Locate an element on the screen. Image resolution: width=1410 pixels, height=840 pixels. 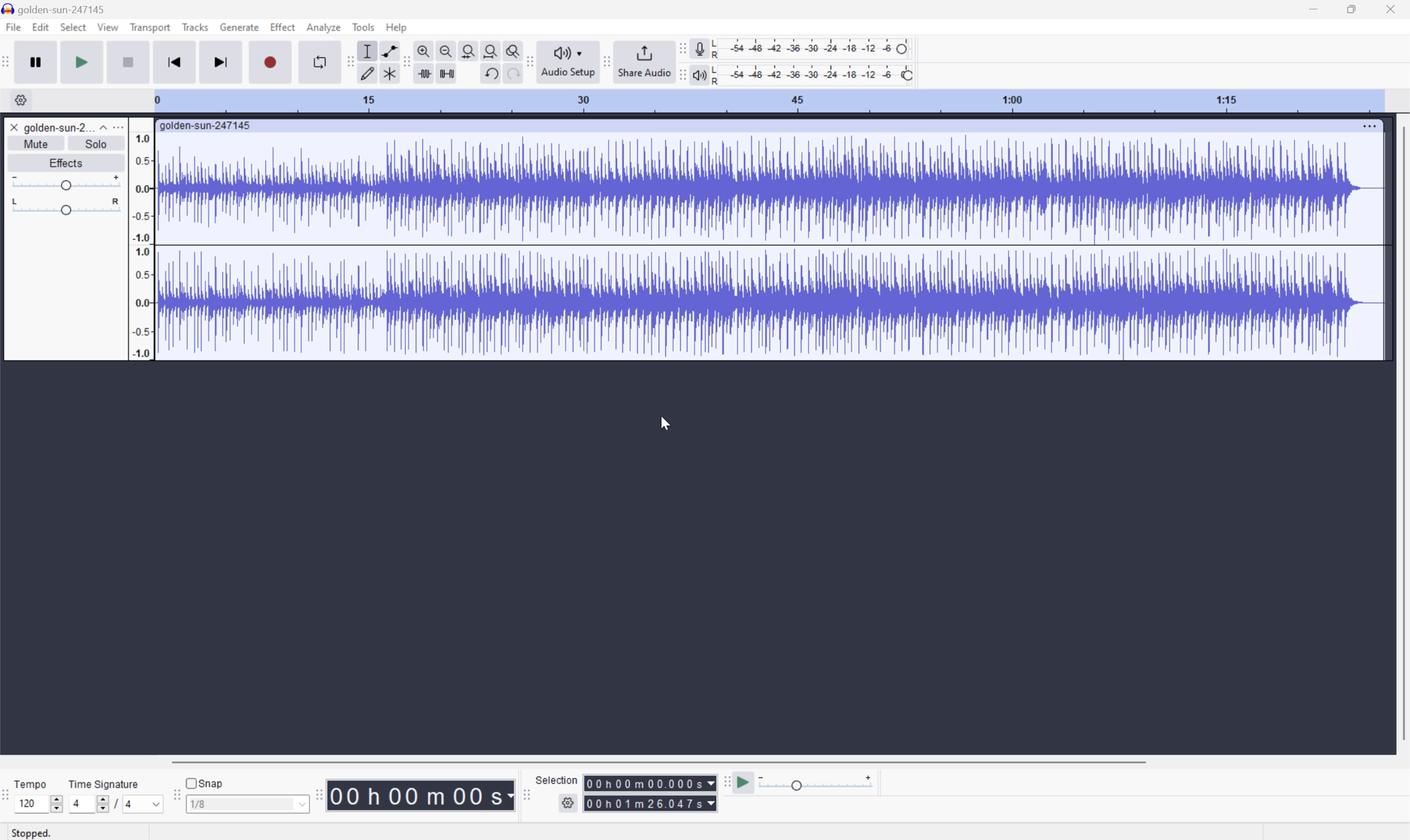
Scroll bar is located at coordinates (665, 760).